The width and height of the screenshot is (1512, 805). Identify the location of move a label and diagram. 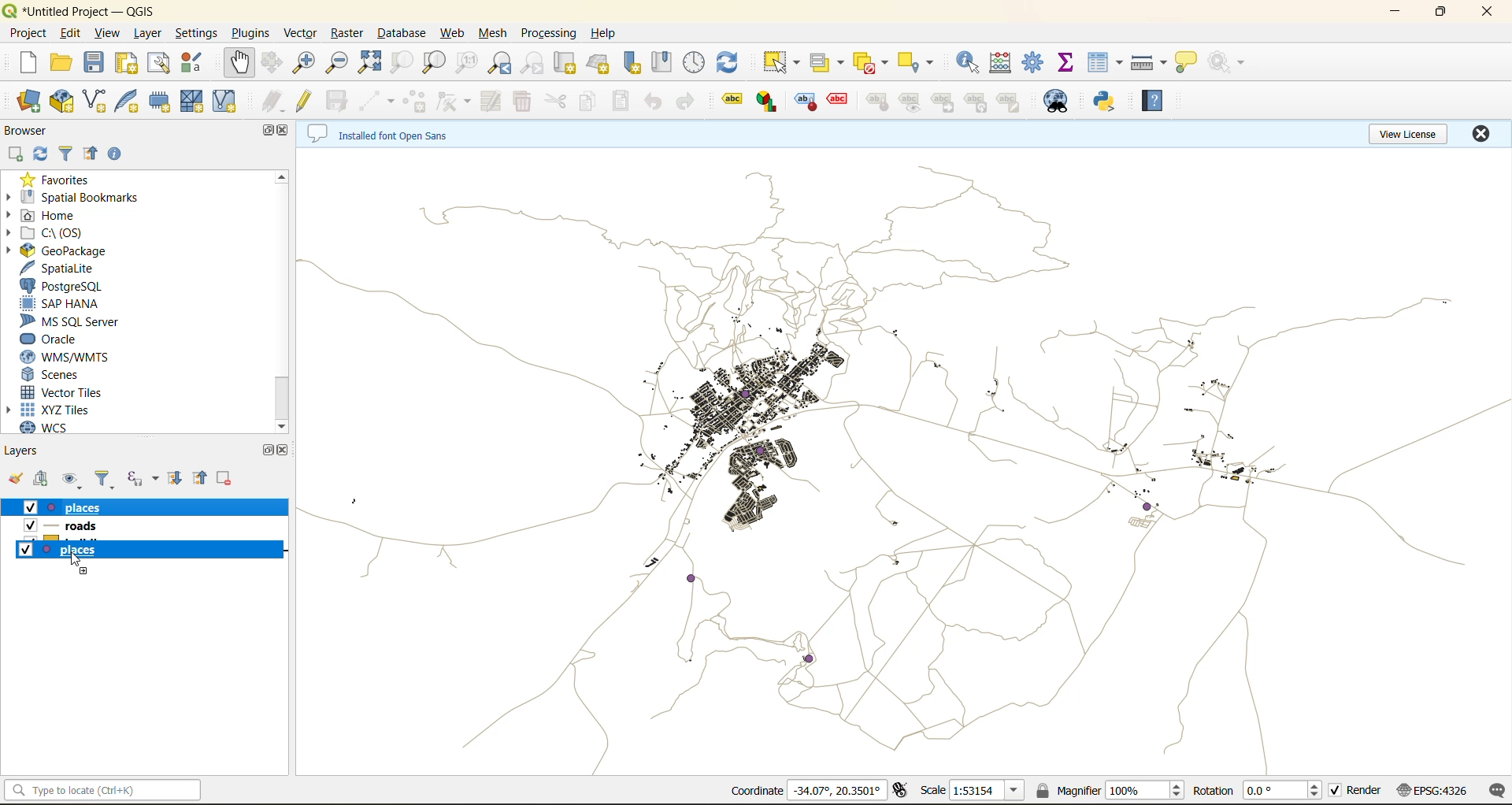
(947, 101).